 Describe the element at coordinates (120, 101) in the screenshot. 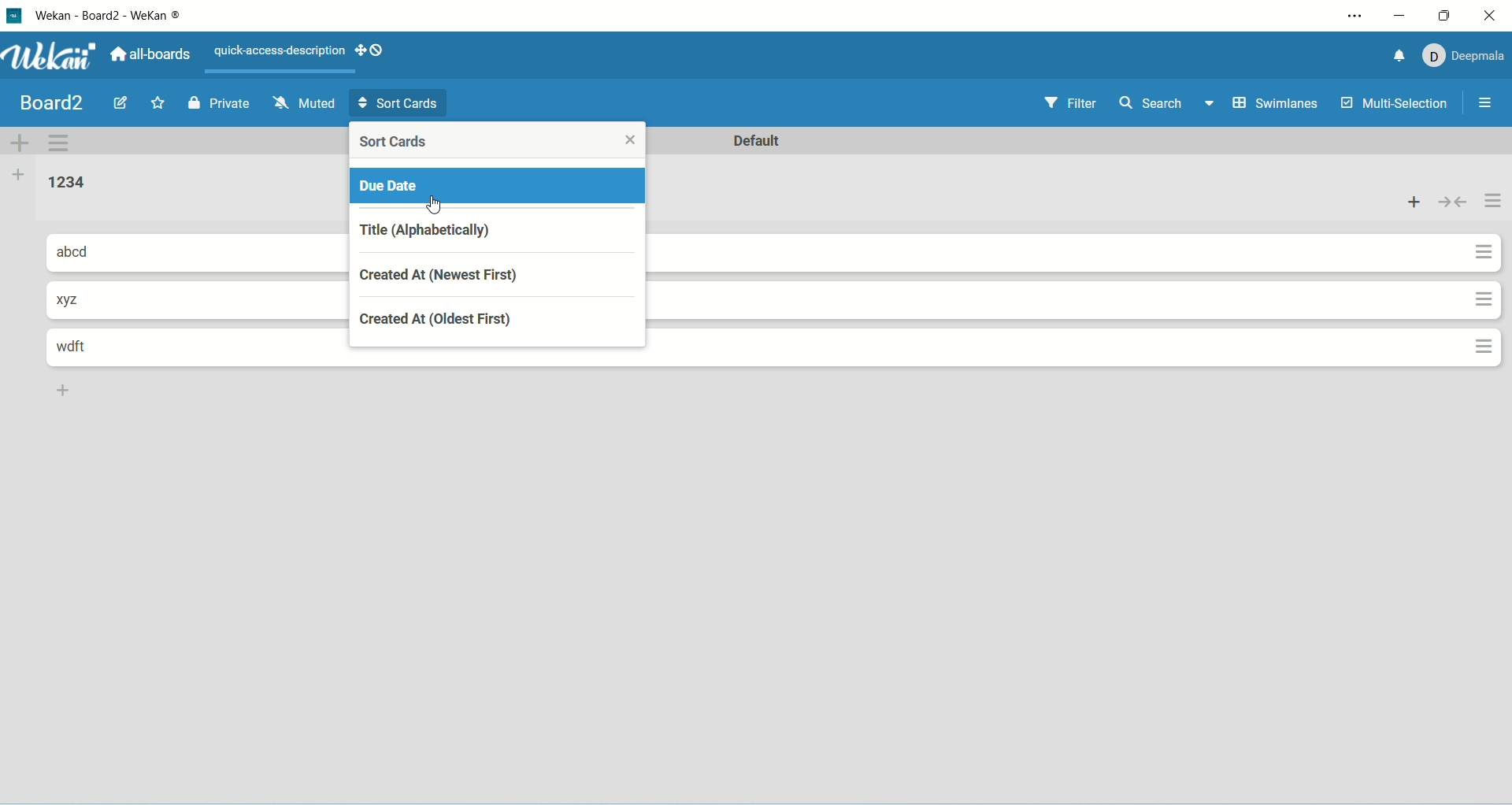

I see `edit` at that location.